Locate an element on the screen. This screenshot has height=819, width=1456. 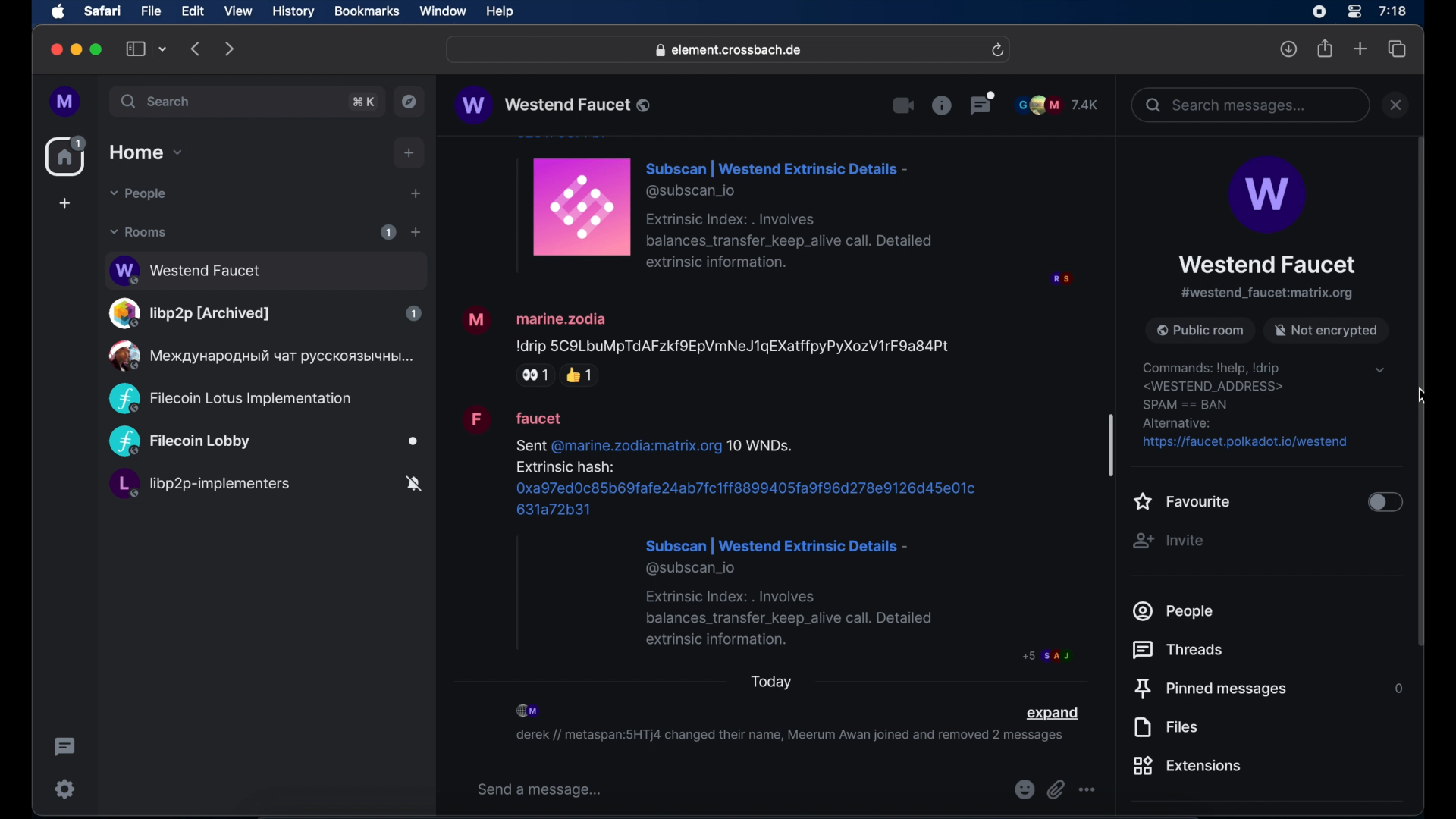
time is located at coordinates (1392, 11).